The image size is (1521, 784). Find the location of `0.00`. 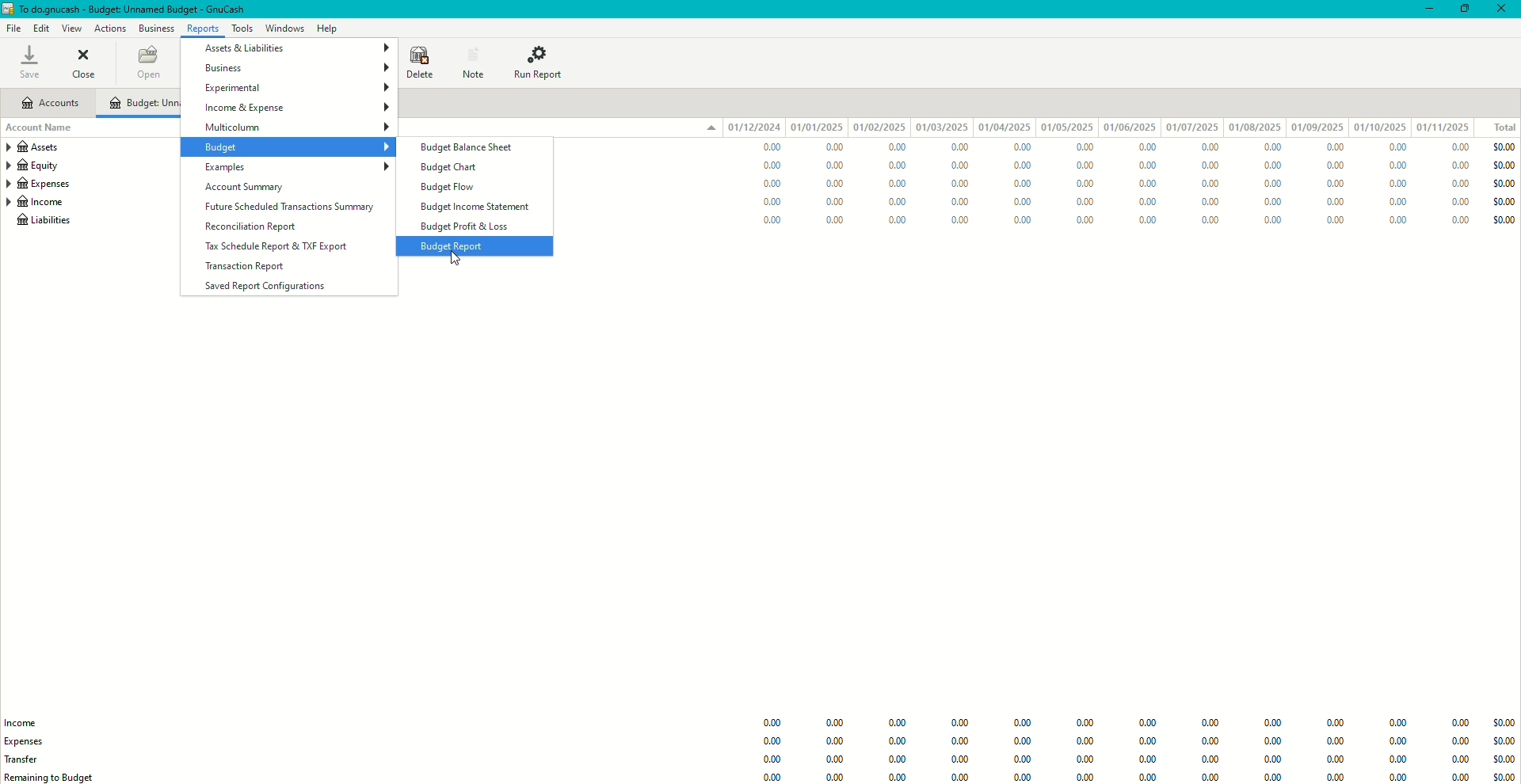

0.00 is located at coordinates (1147, 220).